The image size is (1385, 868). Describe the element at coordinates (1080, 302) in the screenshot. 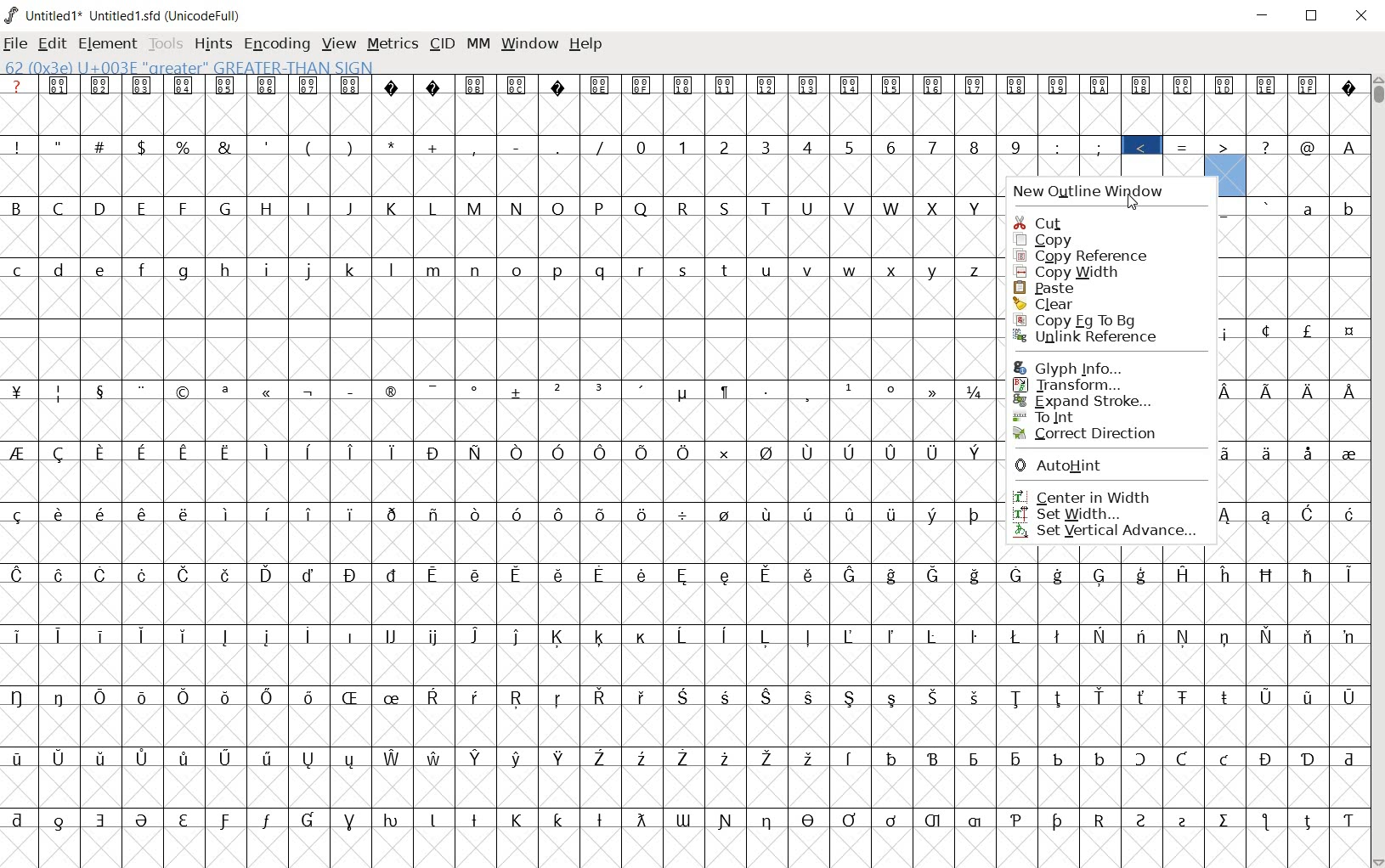

I see `clear` at that location.